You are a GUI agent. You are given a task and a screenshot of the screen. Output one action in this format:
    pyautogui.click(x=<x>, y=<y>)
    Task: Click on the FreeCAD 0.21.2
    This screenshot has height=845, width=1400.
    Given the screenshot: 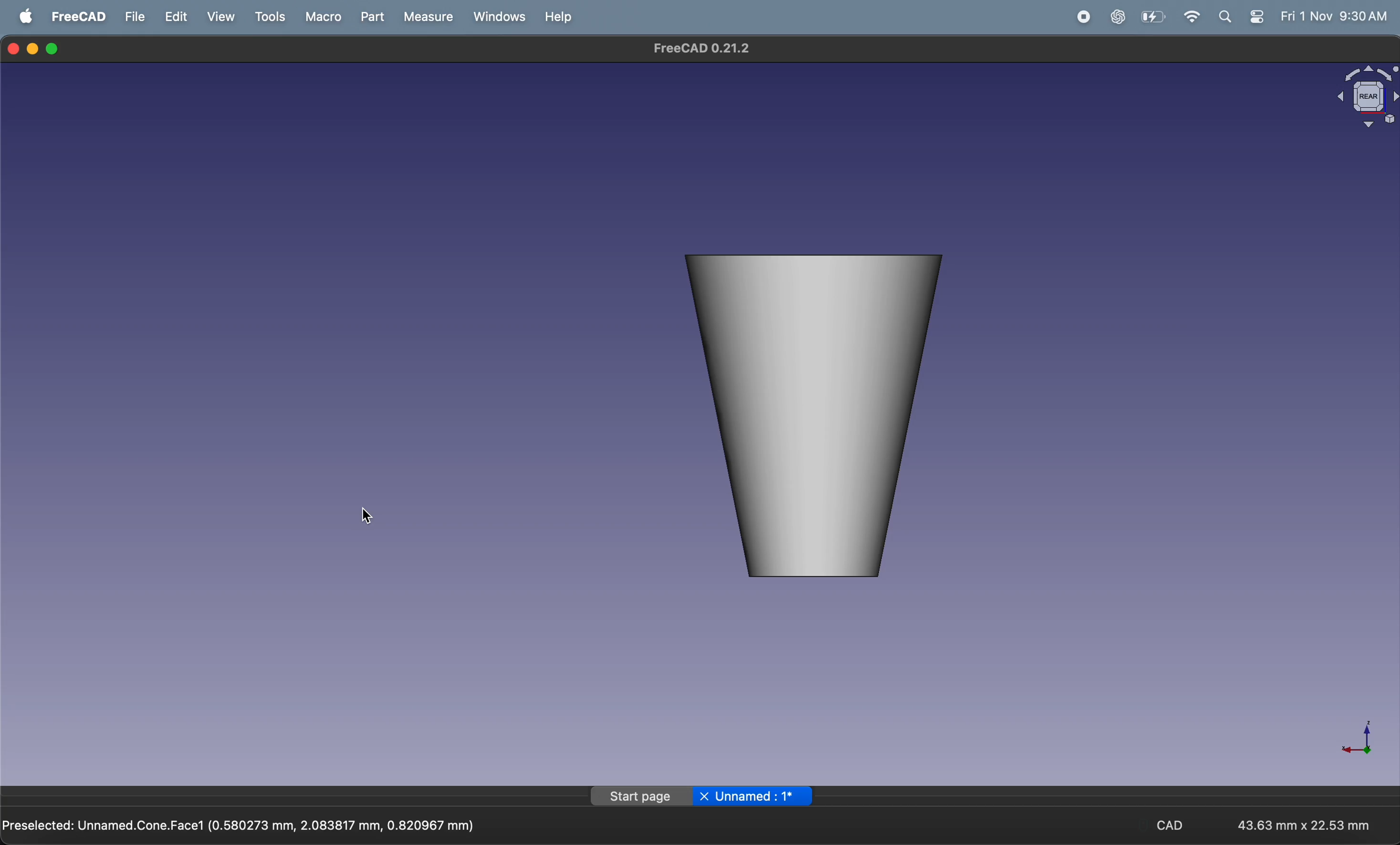 What is the action you would take?
    pyautogui.click(x=698, y=48)
    